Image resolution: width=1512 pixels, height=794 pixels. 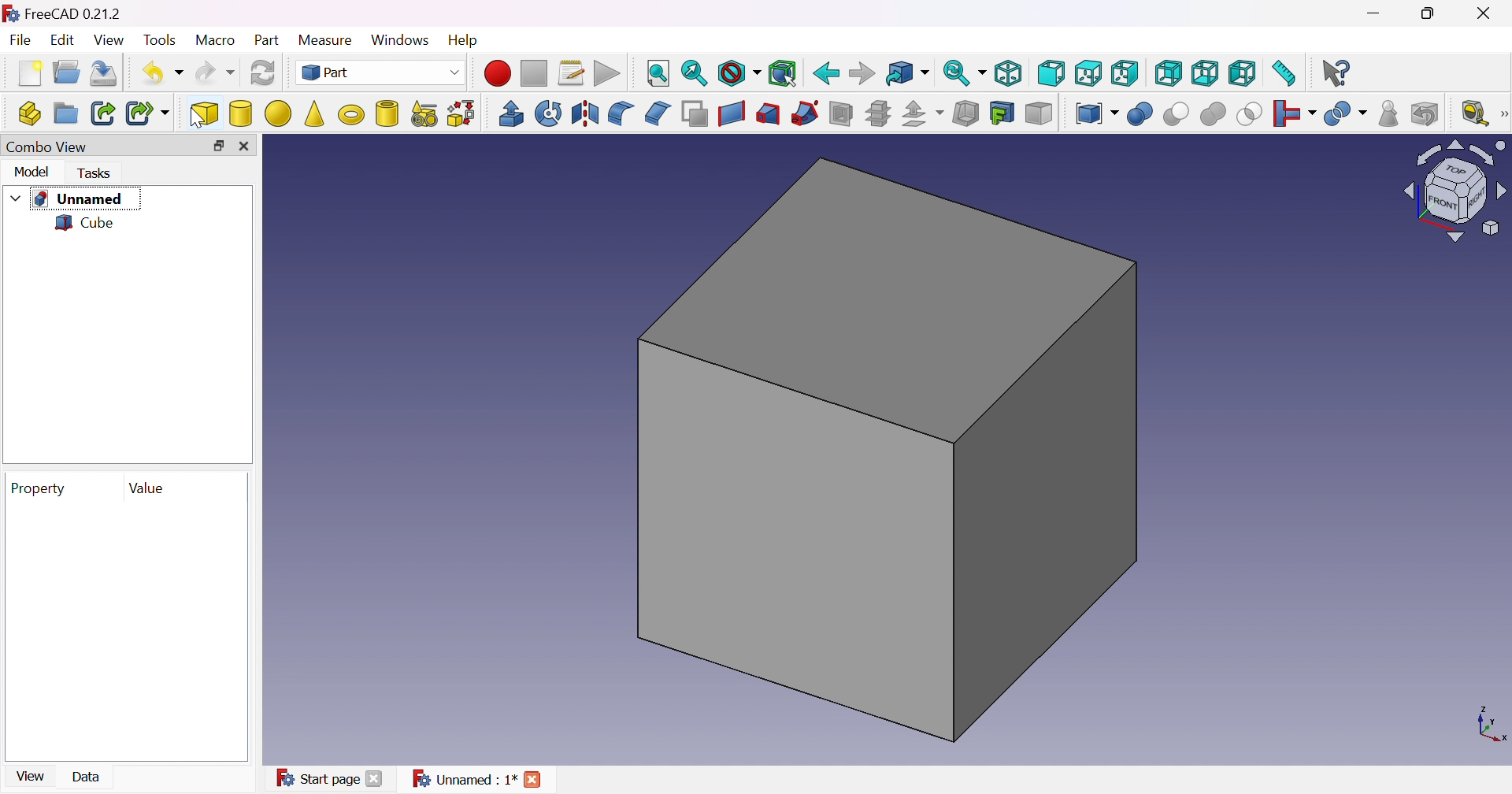 What do you see at coordinates (50, 149) in the screenshot?
I see `Combo View` at bounding box center [50, 149].